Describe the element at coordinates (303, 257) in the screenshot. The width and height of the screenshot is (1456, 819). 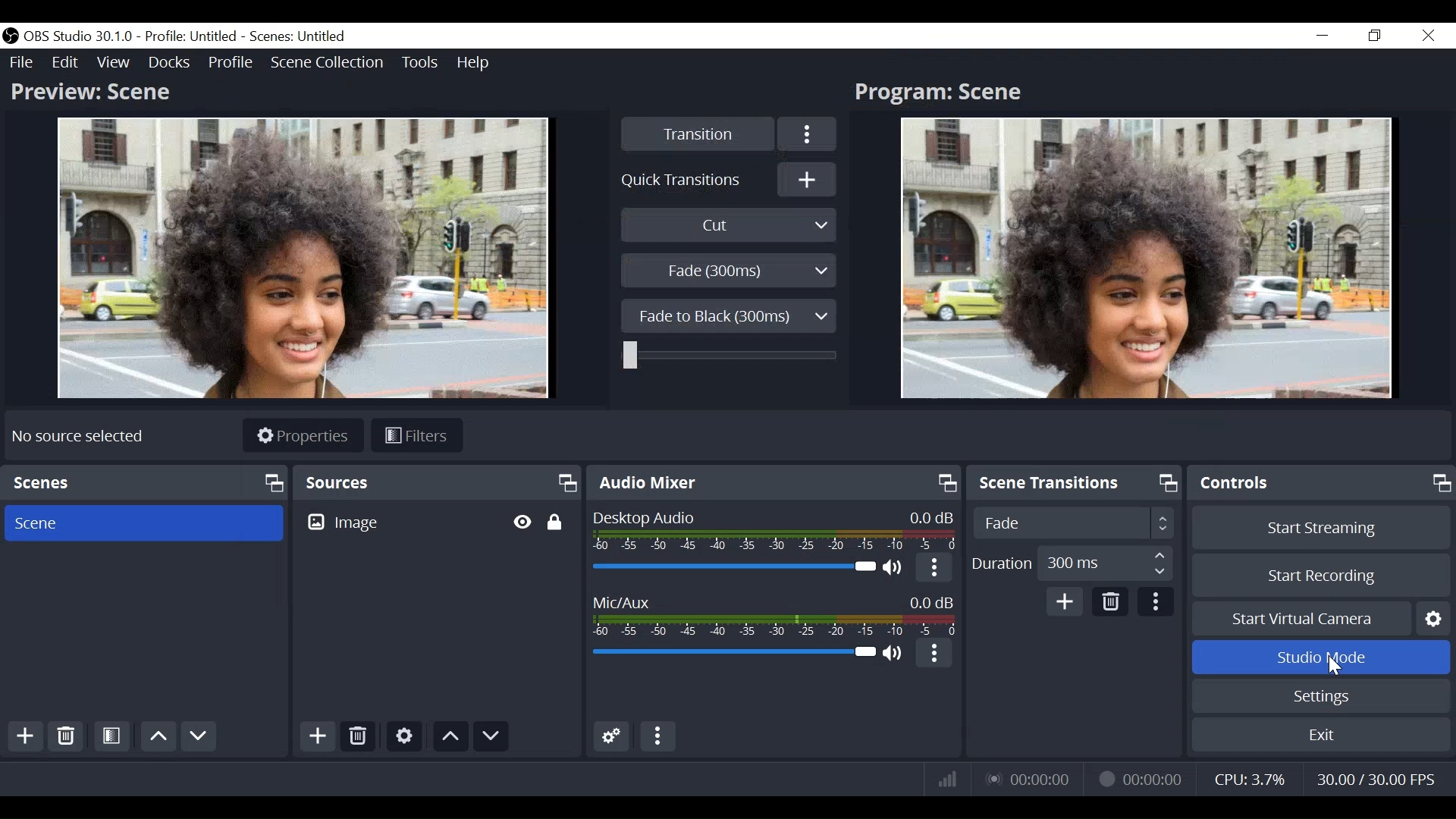
I see `Preview Screen` at that location.